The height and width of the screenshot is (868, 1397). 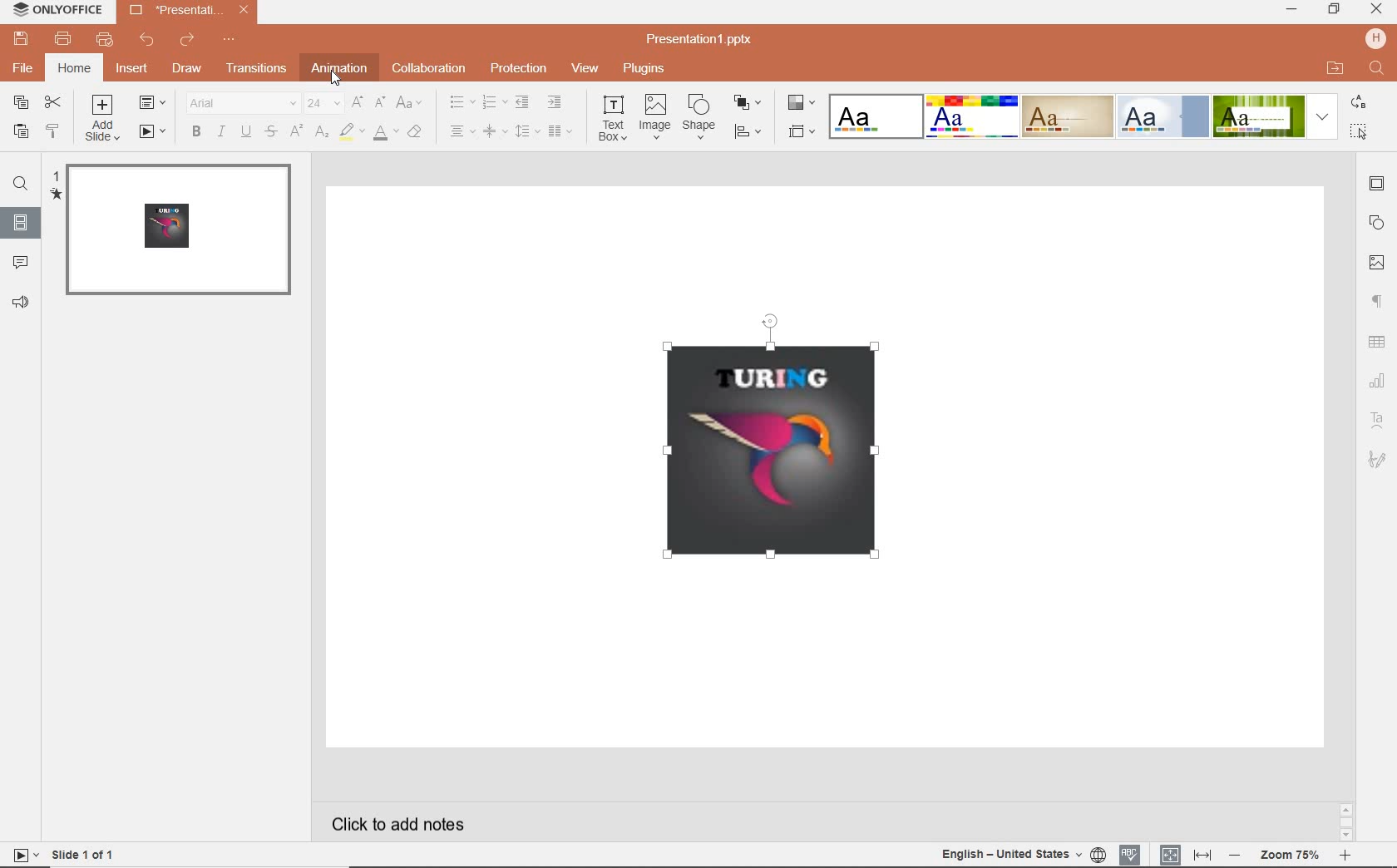 I want to click on increase indent, so click(x=558, y=101).